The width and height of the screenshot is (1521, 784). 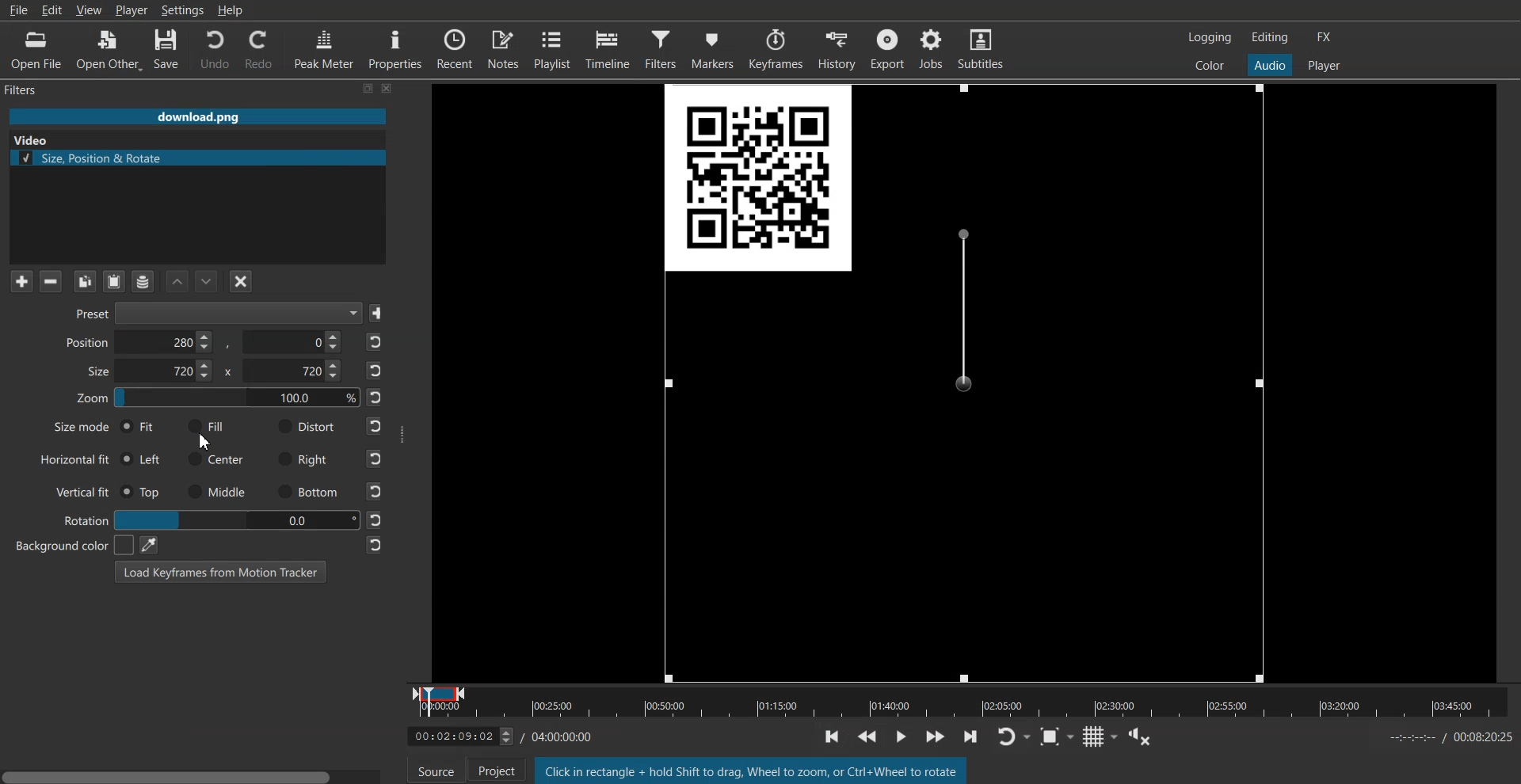 I want to click on Save a filter set, so click(x=143, y=281).